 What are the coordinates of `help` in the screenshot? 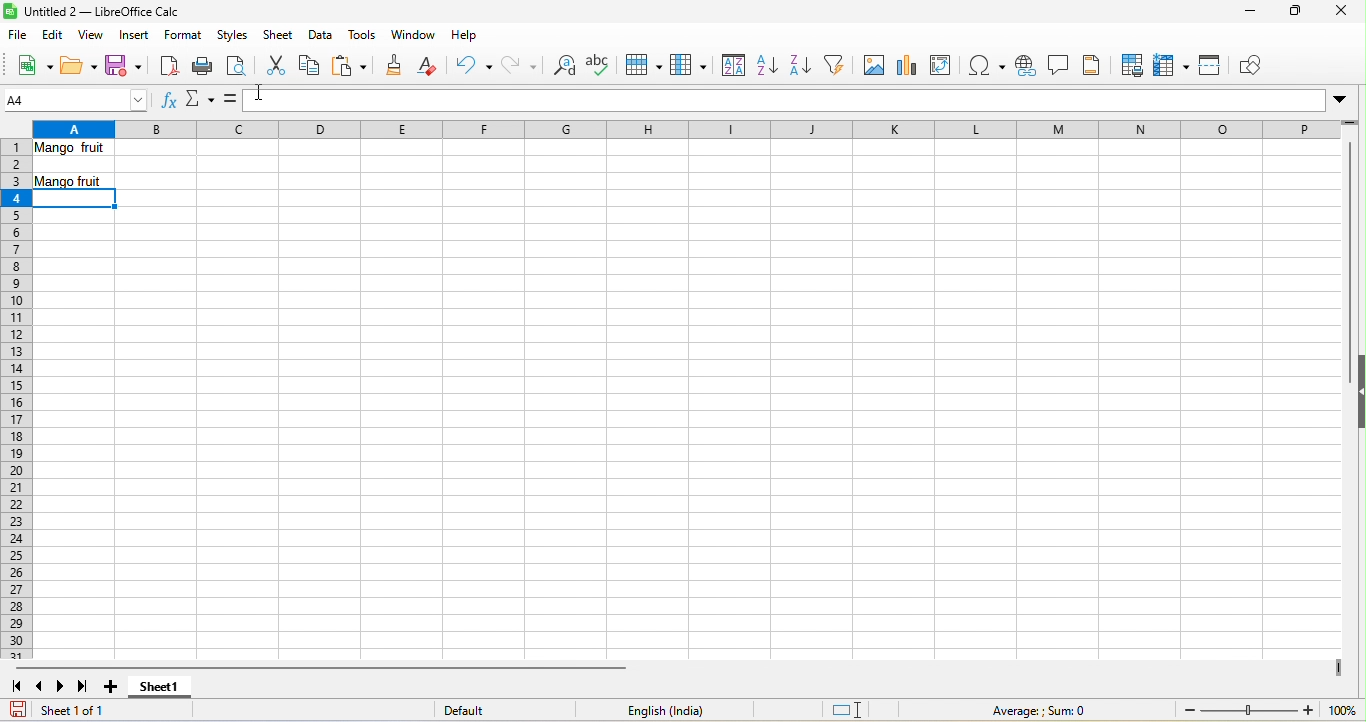 It's located at (465, 39).